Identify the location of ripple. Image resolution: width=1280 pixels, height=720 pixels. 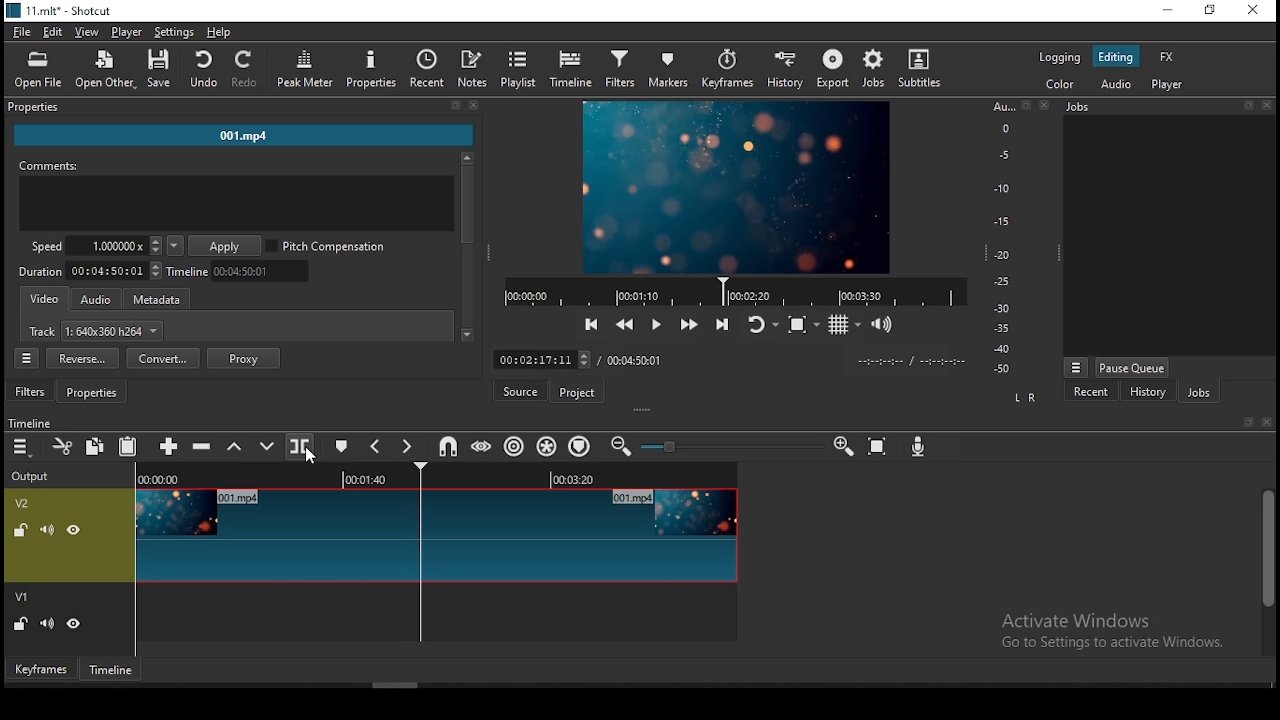
(515, 446).